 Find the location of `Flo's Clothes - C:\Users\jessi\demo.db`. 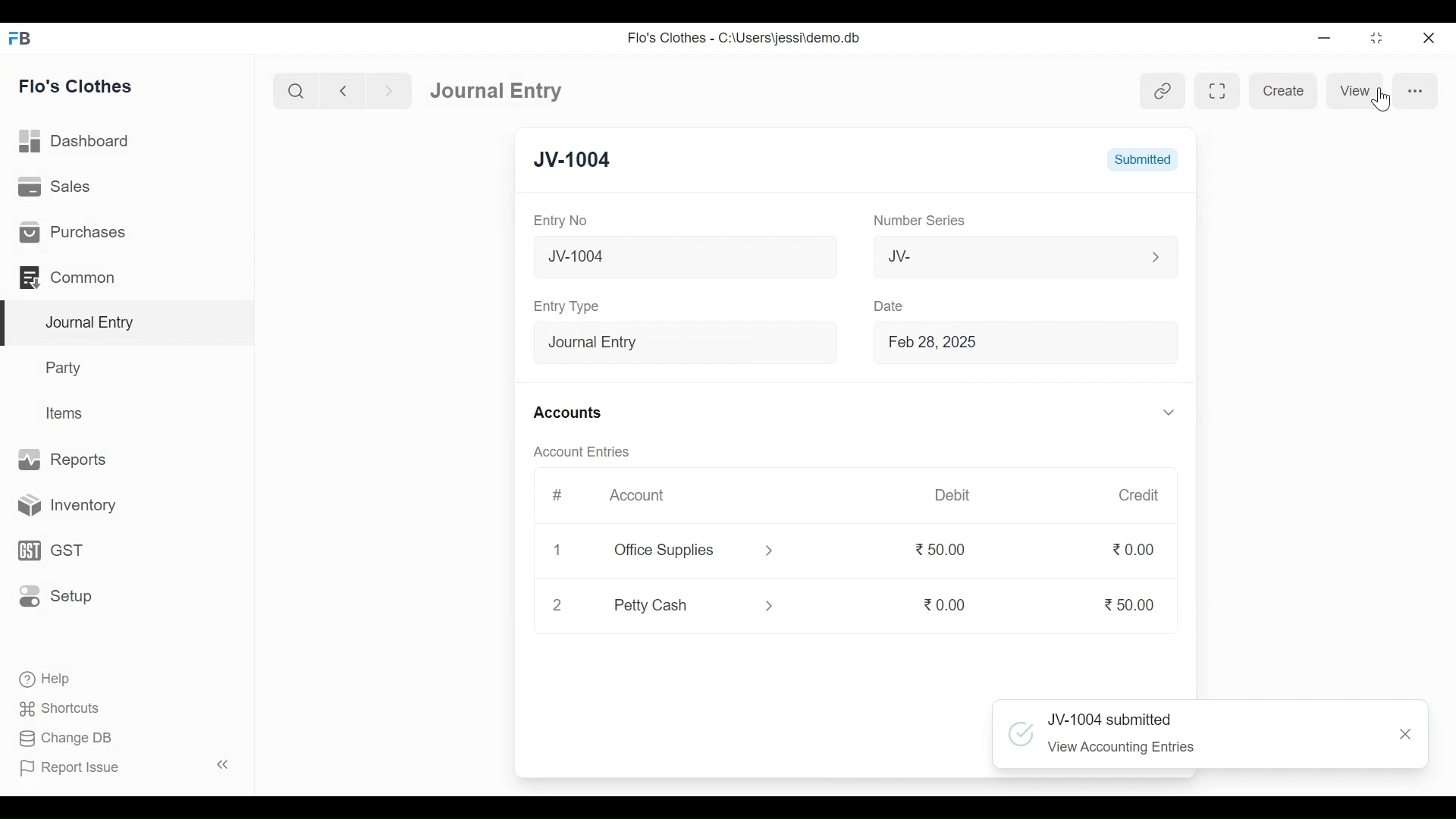

Flo's Clothes - C:\Users\jessi\demo.db is located at coordinates (746, 38).